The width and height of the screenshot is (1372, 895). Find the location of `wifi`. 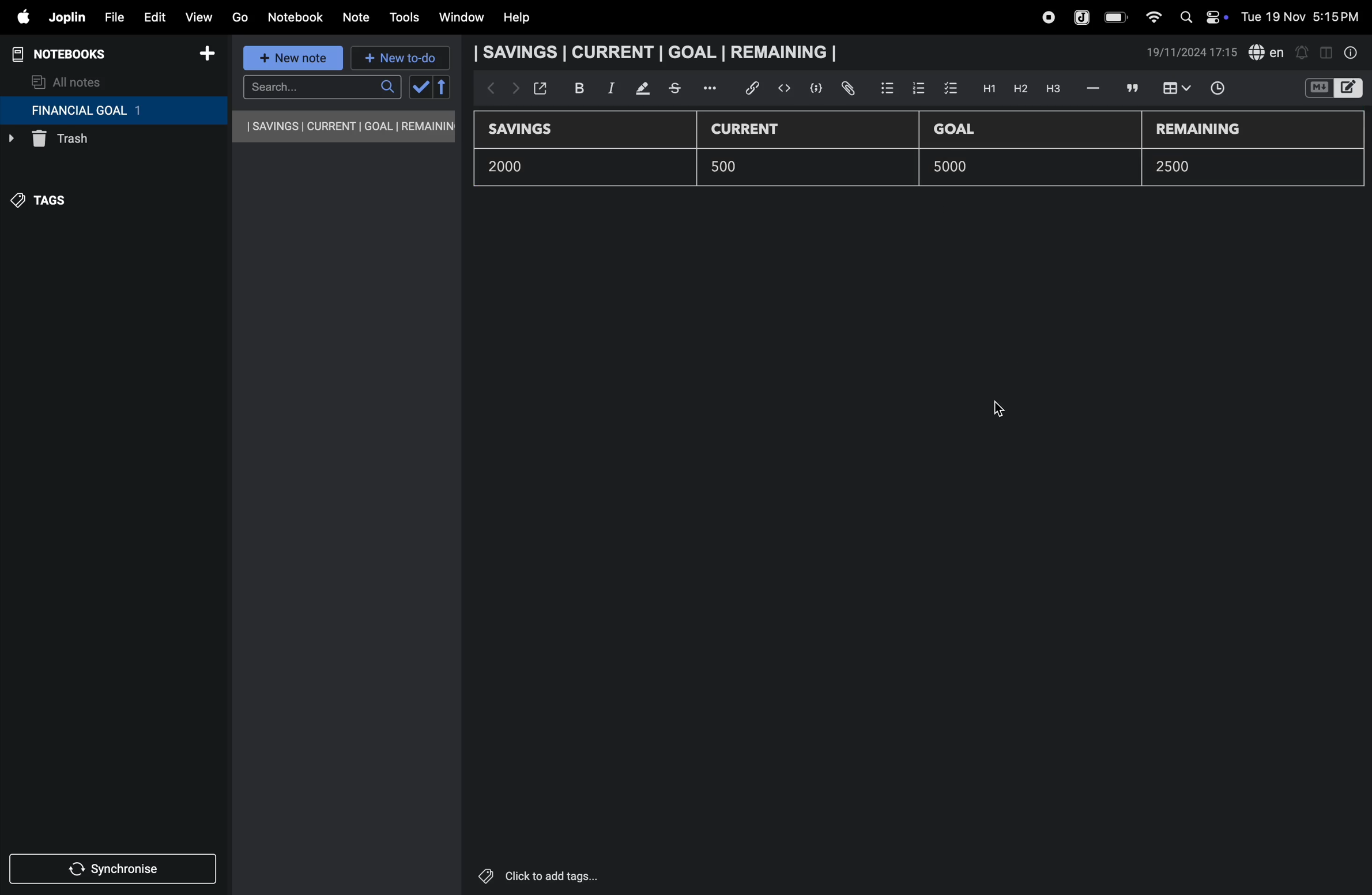

wifi is located at coordinates (1150, 17).